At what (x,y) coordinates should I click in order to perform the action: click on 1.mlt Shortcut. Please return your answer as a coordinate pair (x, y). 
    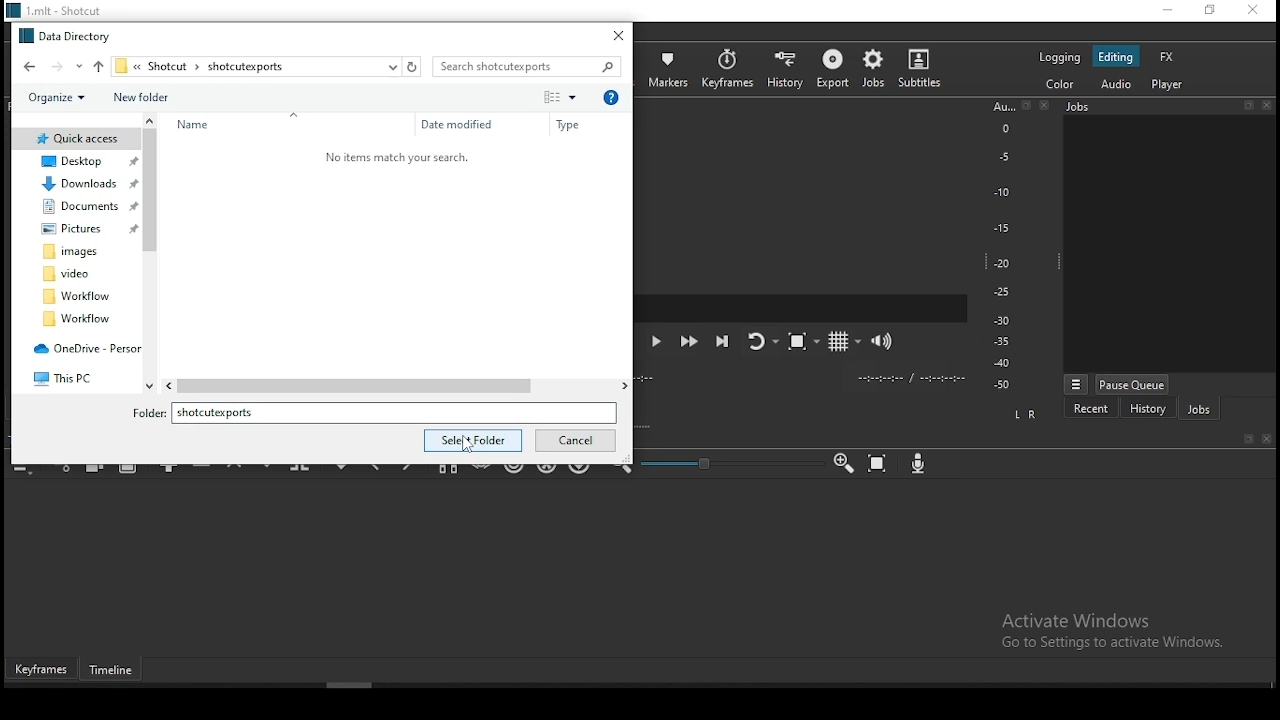
    Looking at the image, I should click on (63, 10).